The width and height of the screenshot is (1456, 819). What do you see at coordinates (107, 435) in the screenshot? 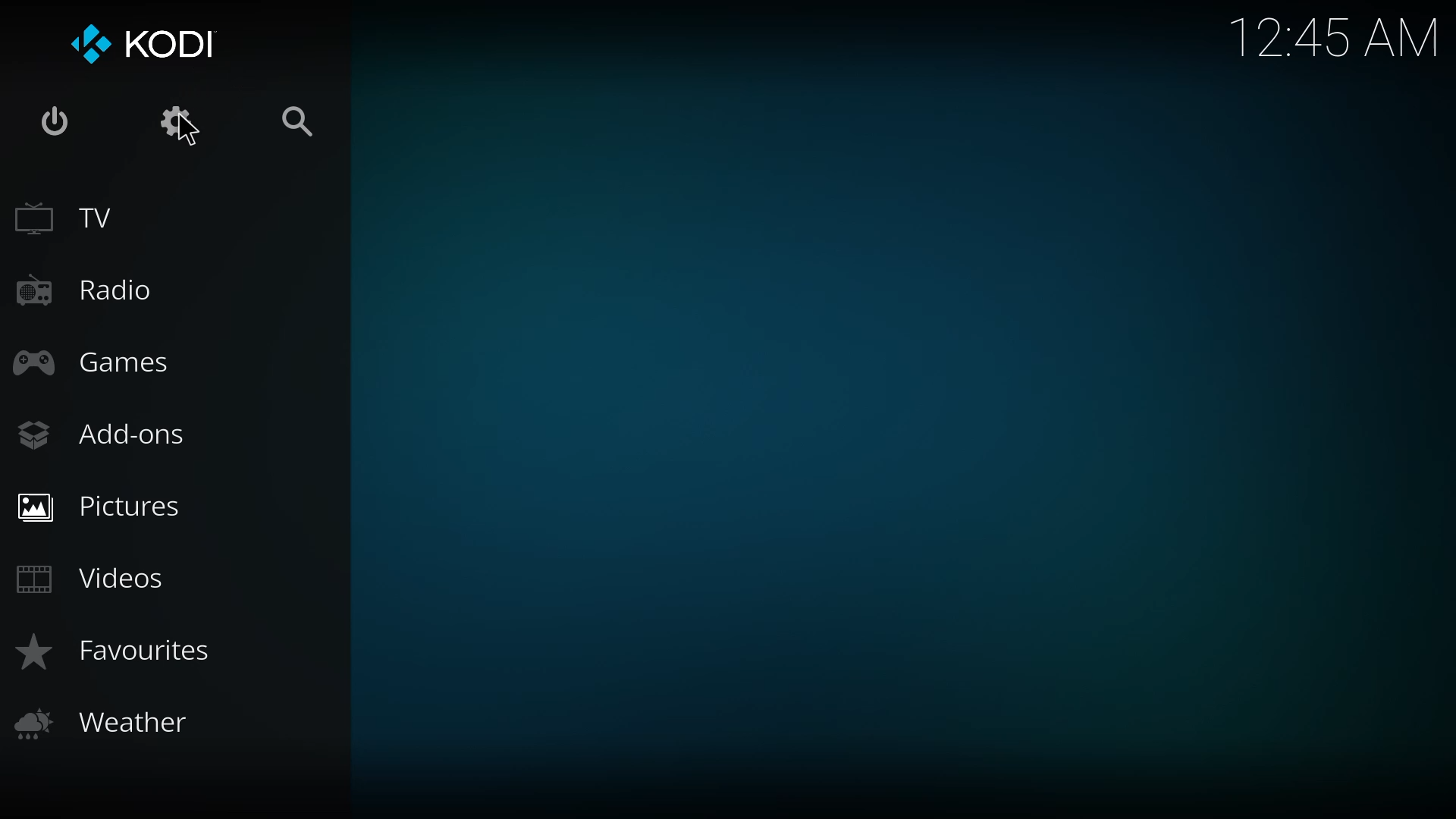
I see `add-ons` at bounding box center [107, 435].